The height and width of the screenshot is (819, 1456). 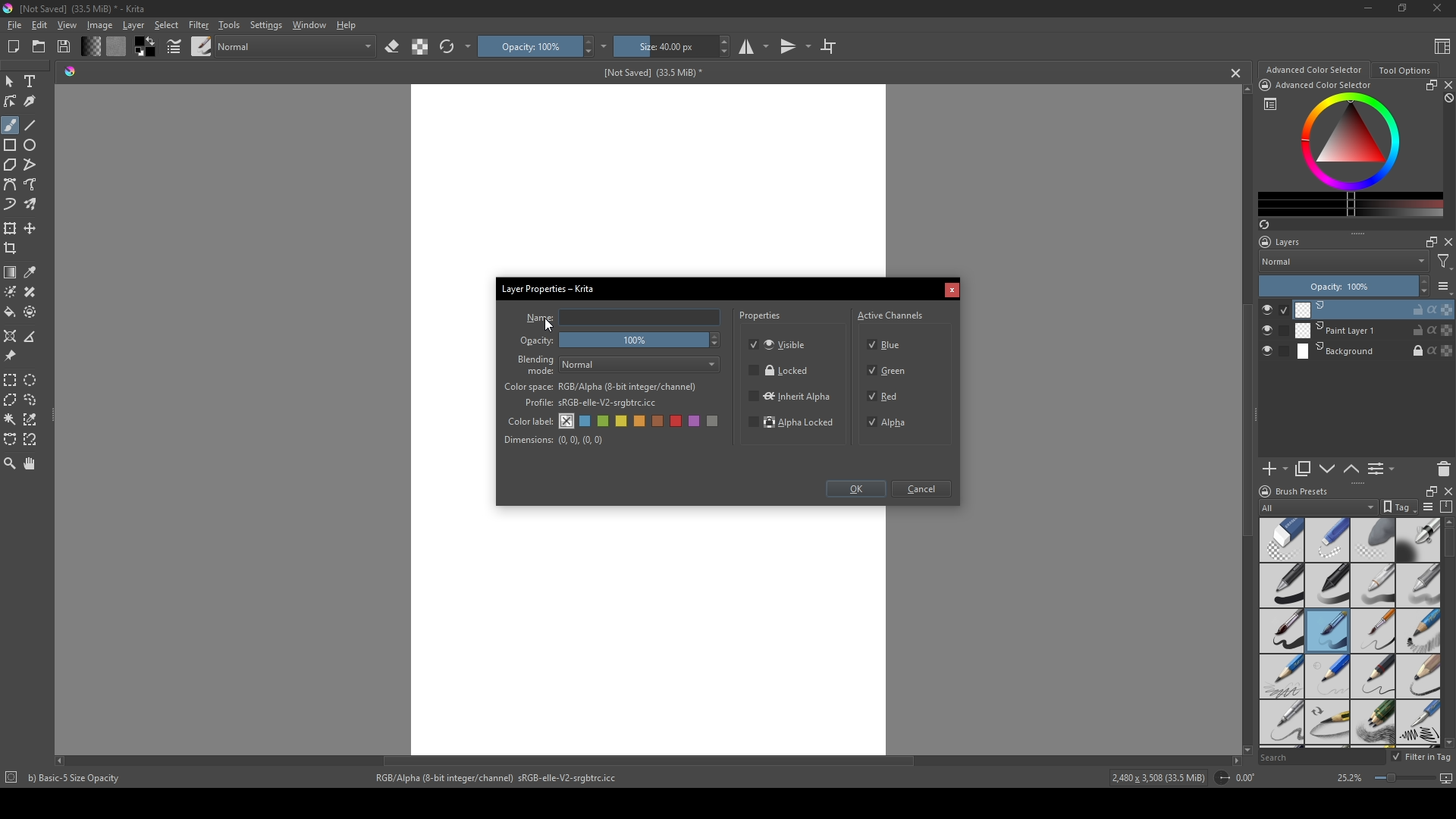 What do you see at coordinates (1250, 778) in the screenshot?
I see `0.00` at bounding box center [1250, 778].